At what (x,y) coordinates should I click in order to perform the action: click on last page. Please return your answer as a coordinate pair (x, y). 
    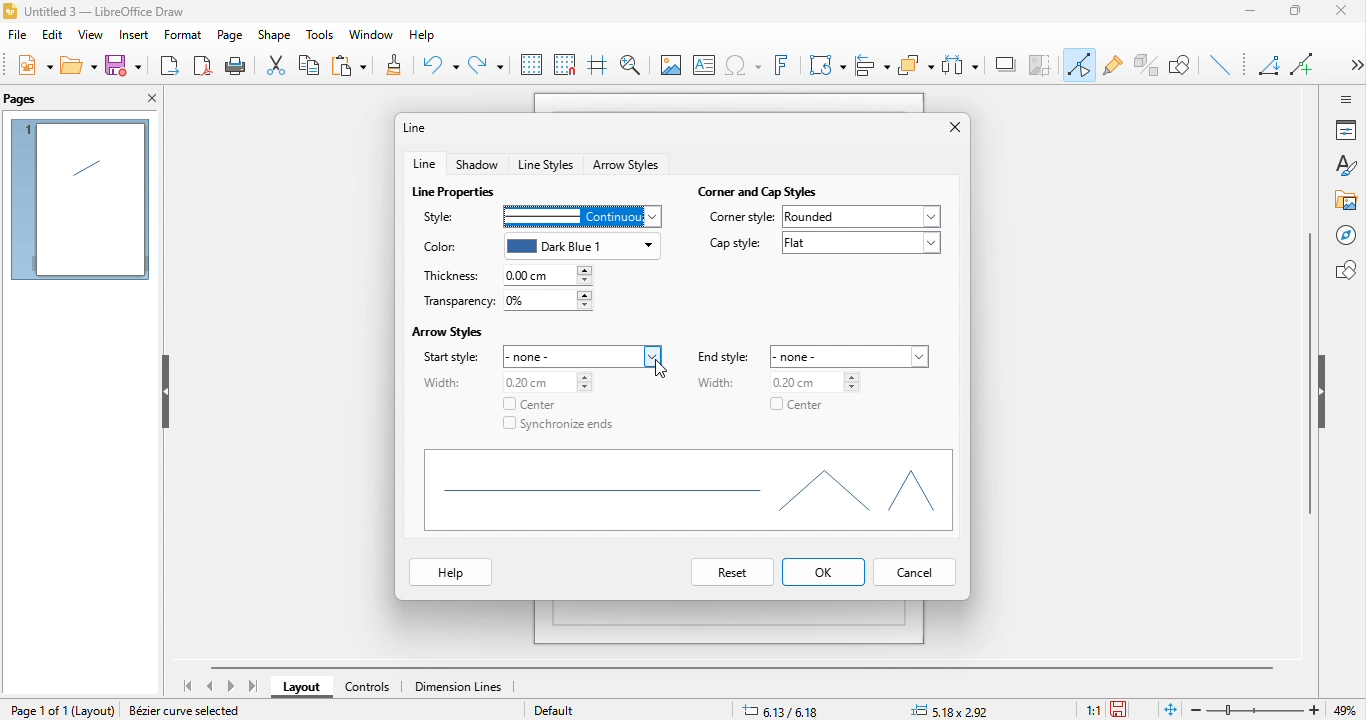
    Looking at the image, I should click on (252, 686).